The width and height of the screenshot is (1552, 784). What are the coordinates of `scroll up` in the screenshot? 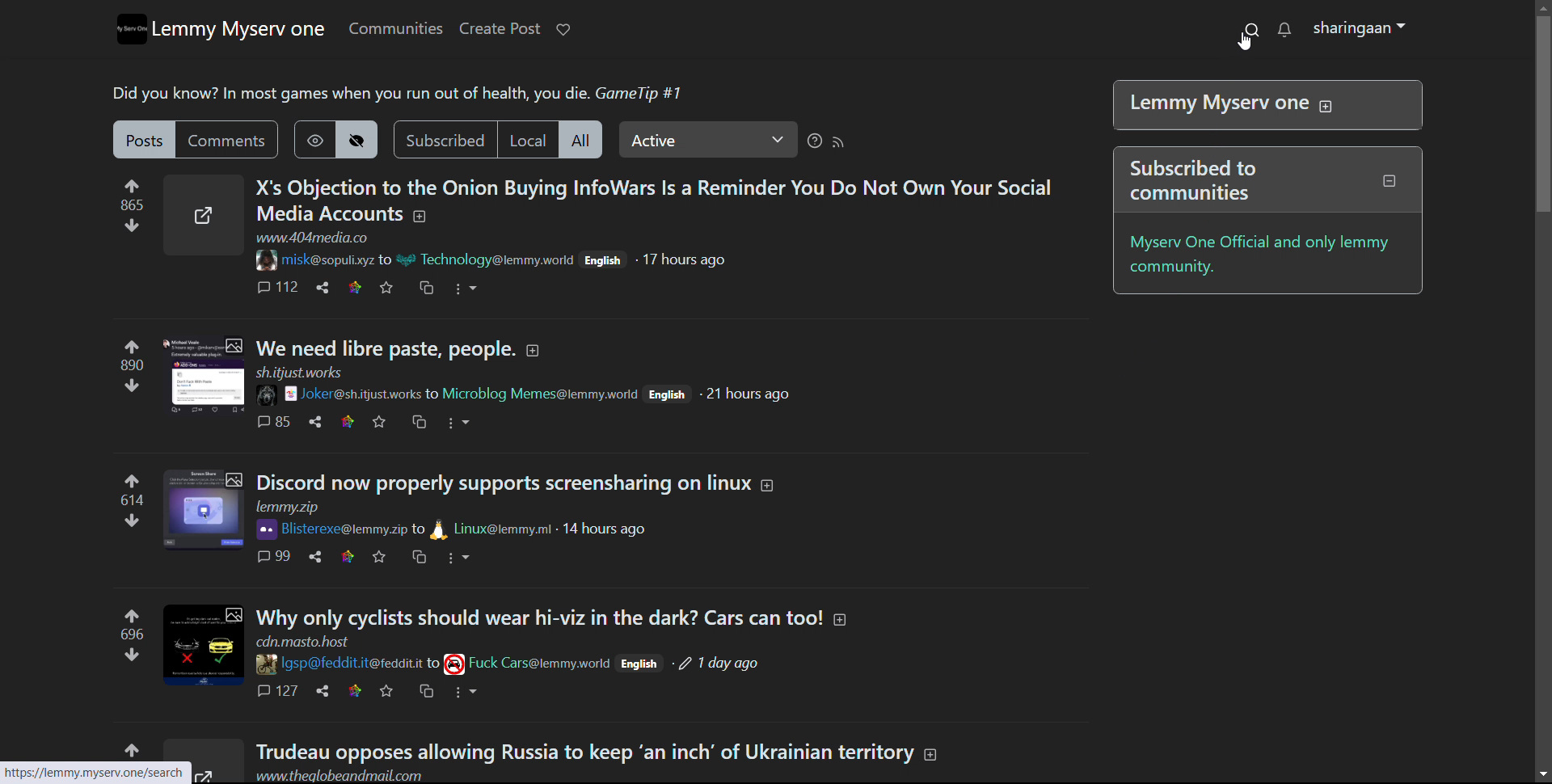 It's located at (1541, 6).